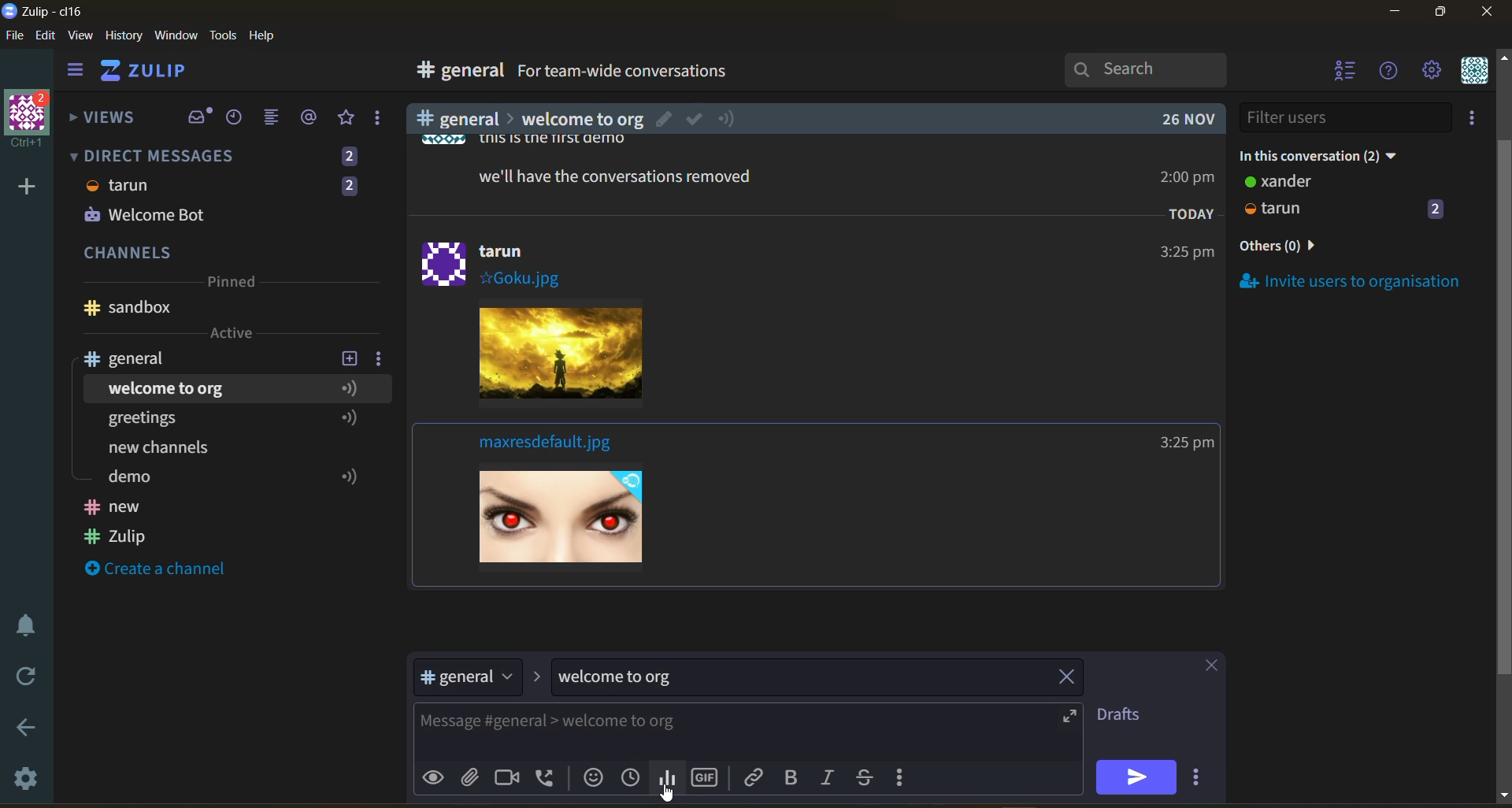 This screenshot has width=1512, height=808. What do you see at coordinates (708, 776) in the screenshot?
I see `add gif` at bounding box center [708, 776].